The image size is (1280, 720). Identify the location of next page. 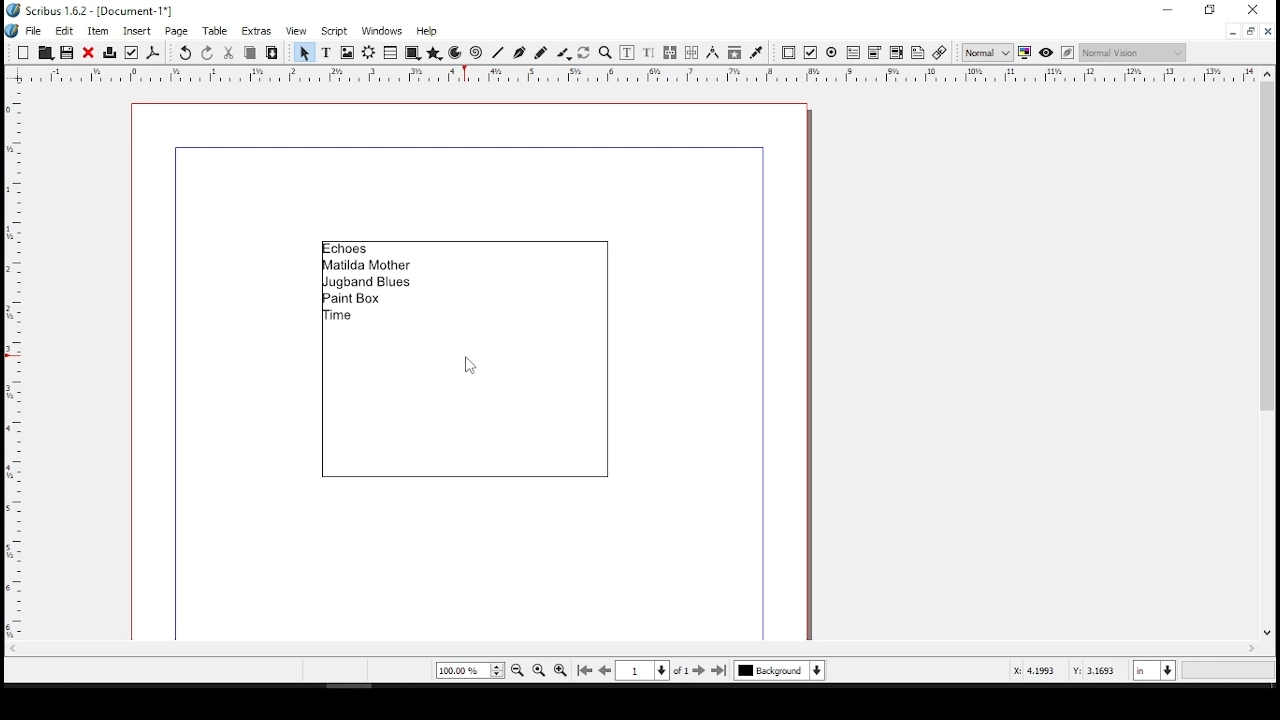
(699, 670).